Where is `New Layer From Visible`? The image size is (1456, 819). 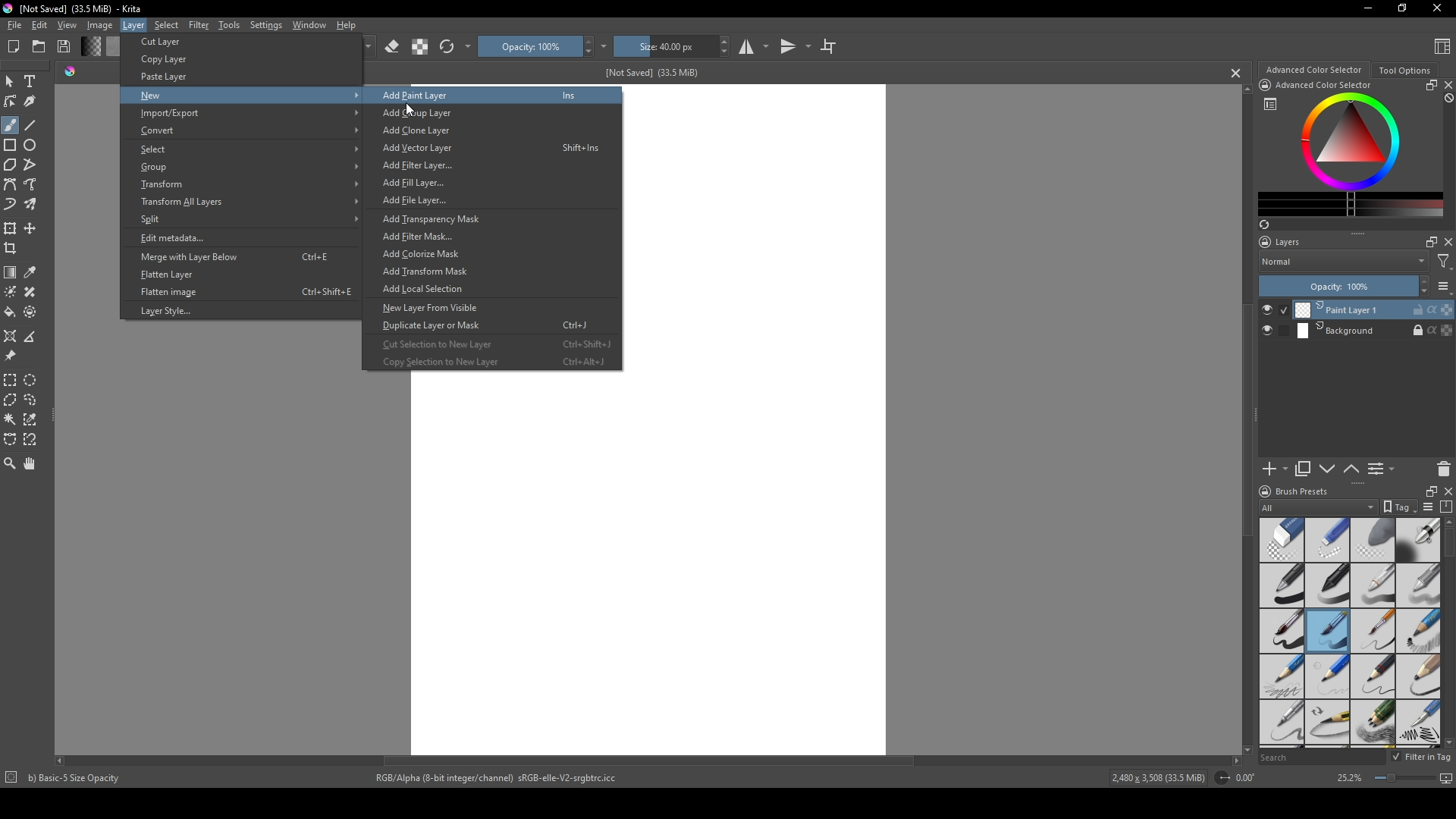 New Layer From Visible is located at coordinates (435, 309).